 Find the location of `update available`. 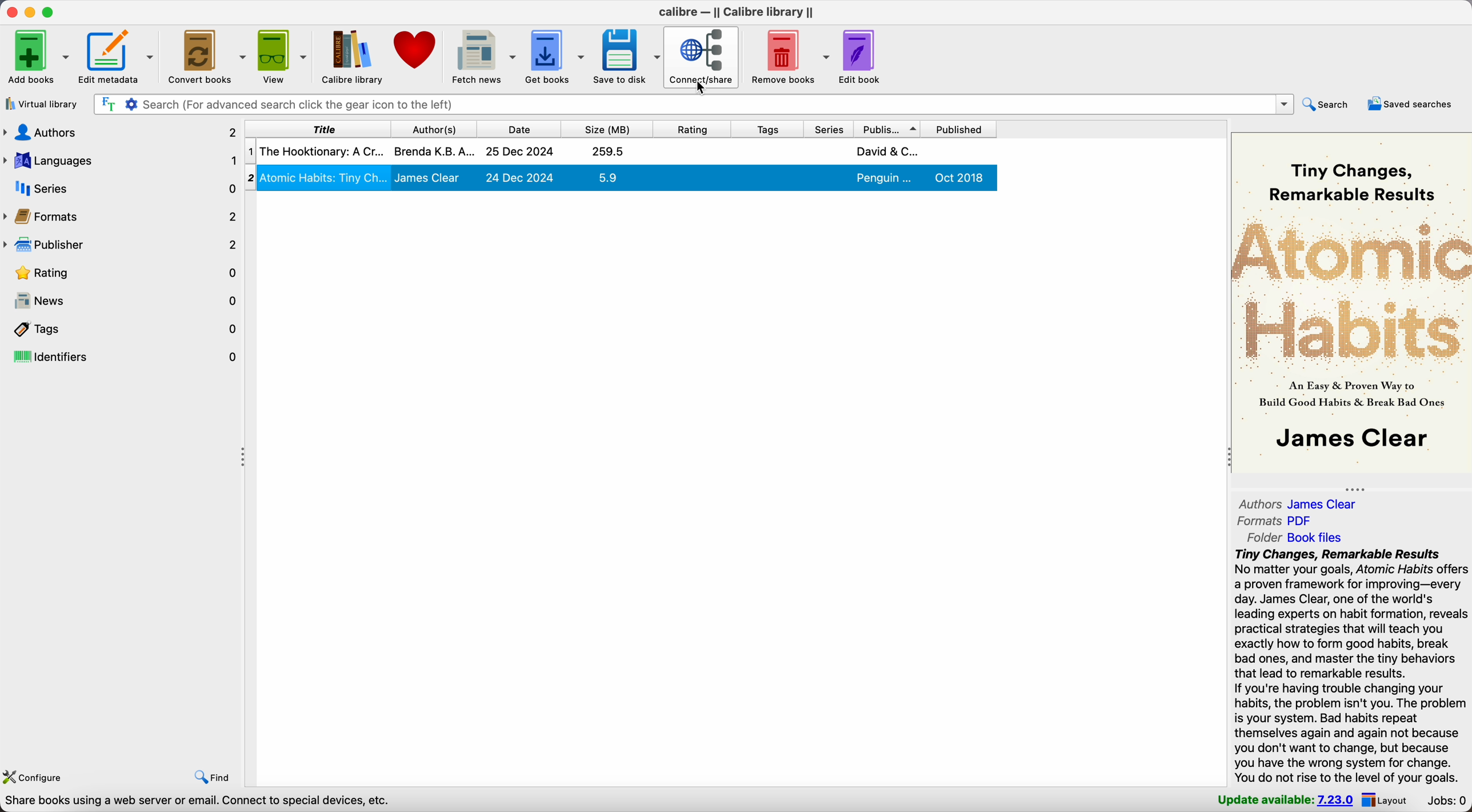

update available is located at coordinates (1286, 801).